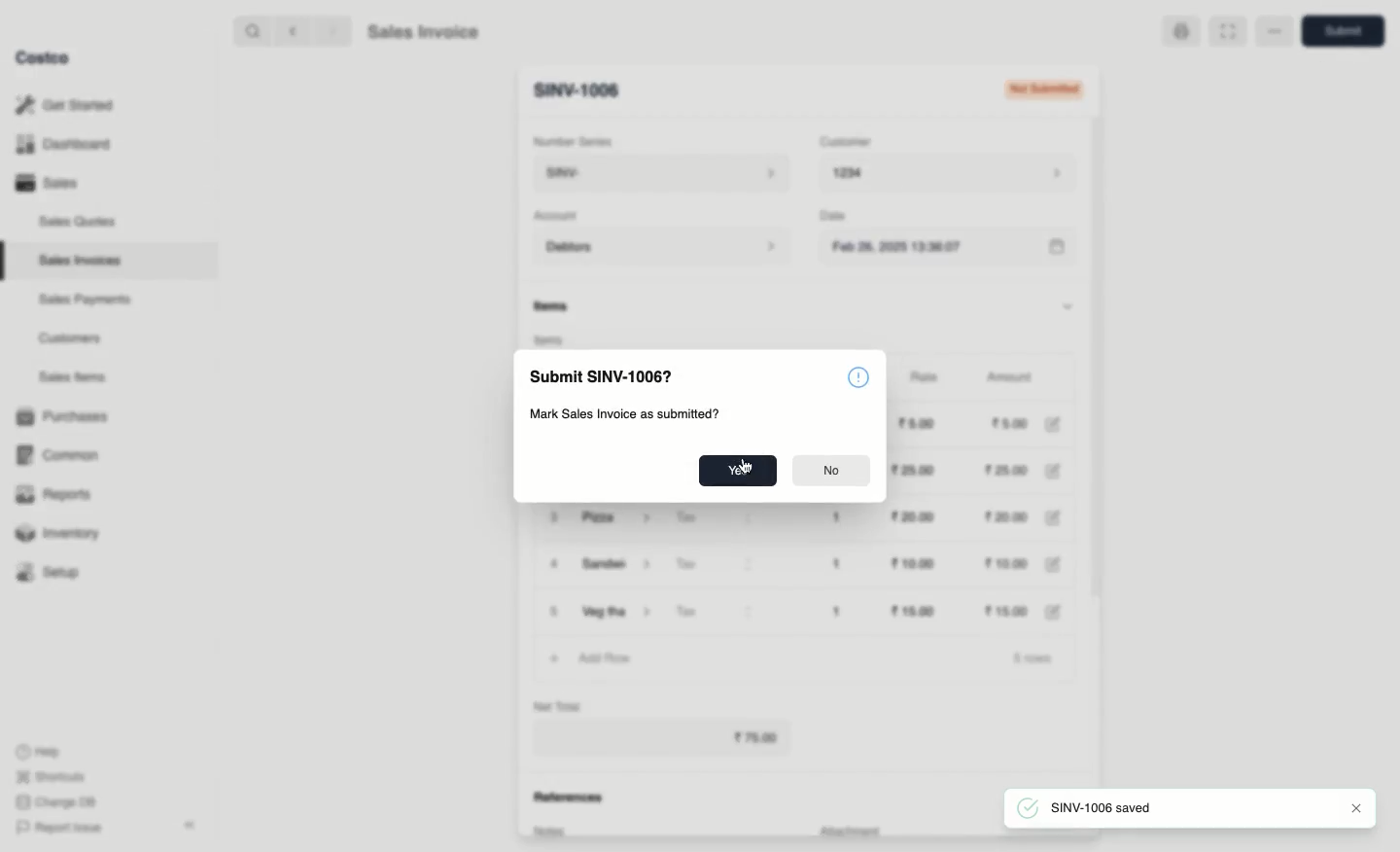  I want to click on Sales Invoice, so click(423, 34).